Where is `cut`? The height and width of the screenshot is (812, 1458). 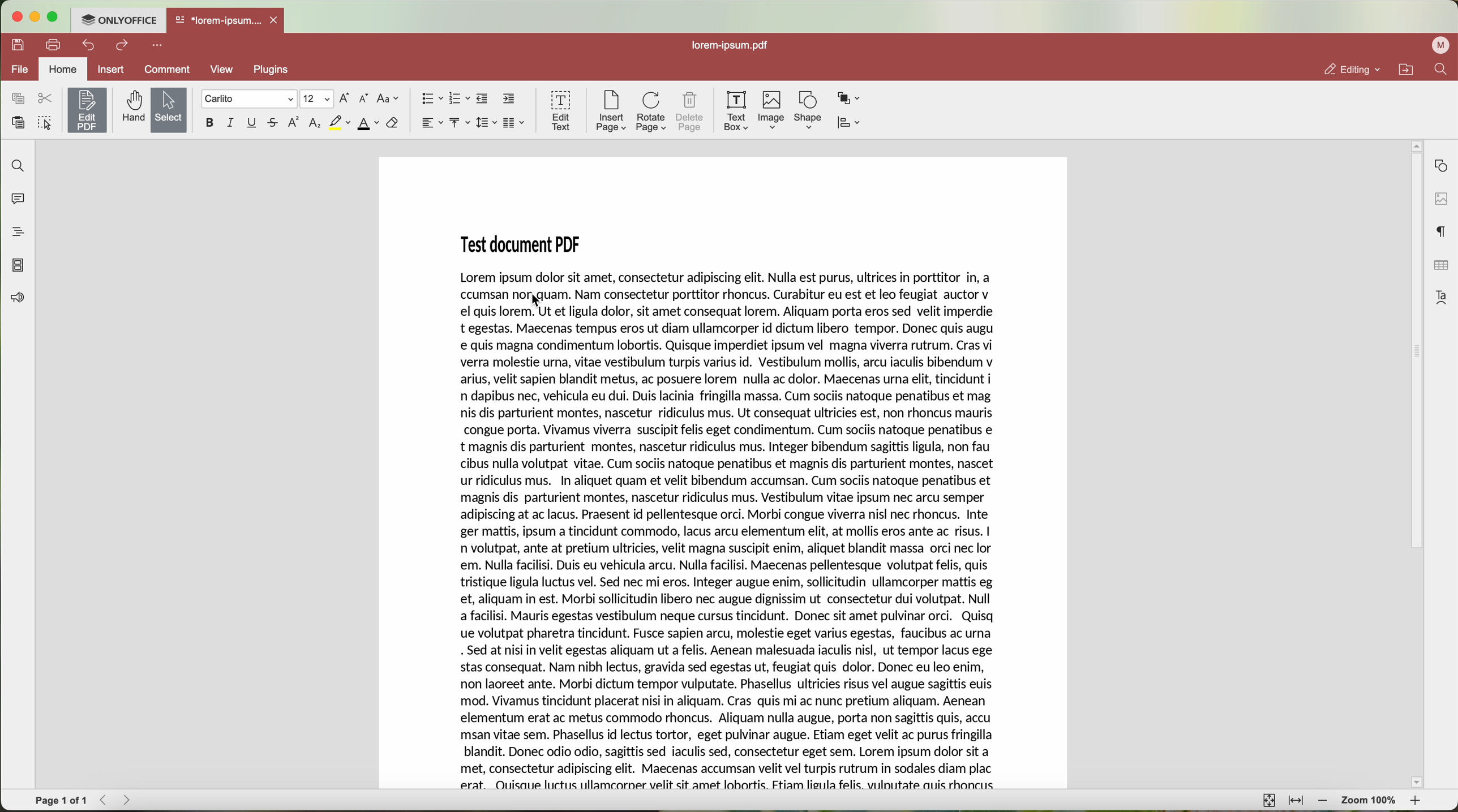 cut is located at coordinates (46, 99).